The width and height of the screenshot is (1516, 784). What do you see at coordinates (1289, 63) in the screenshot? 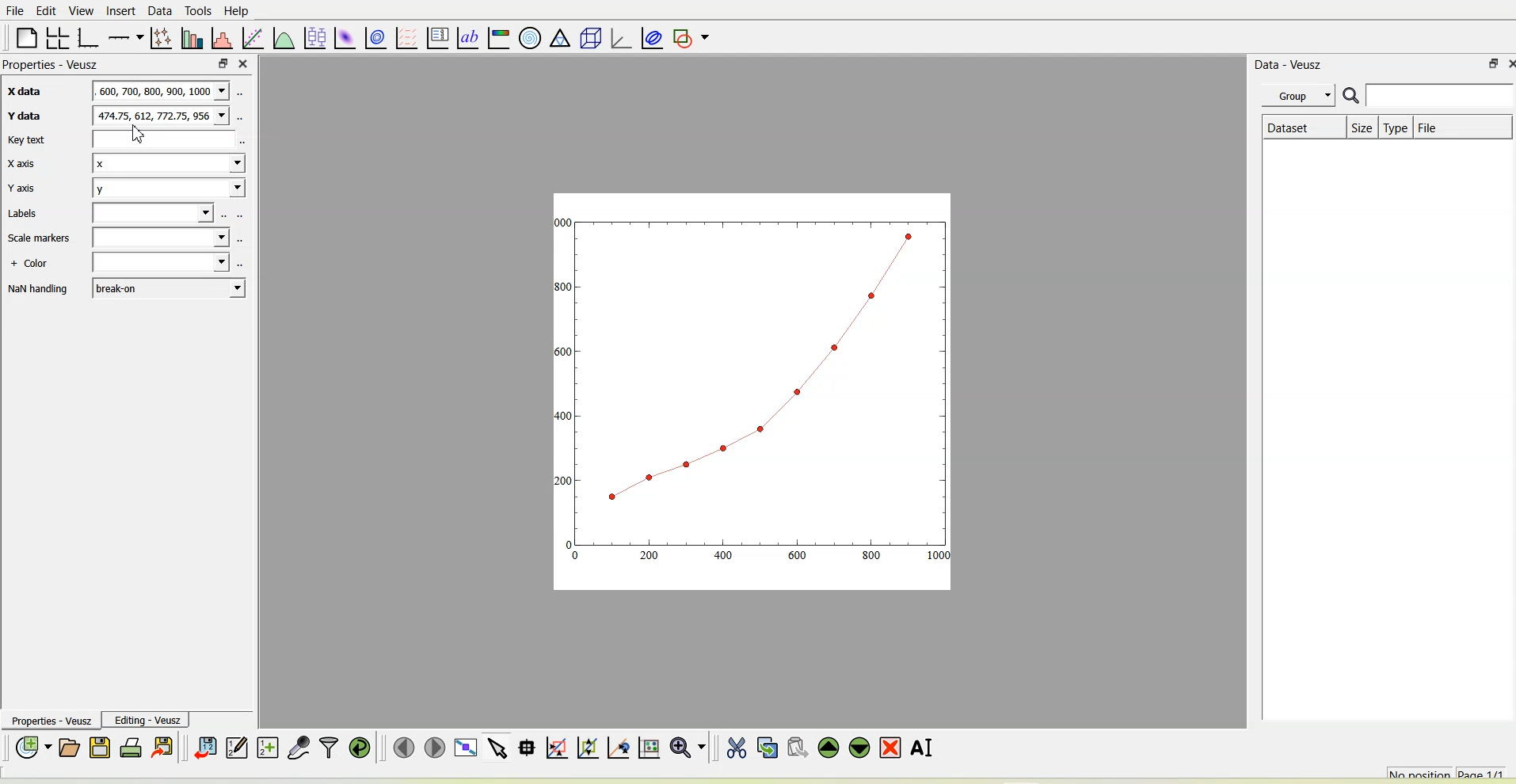
I see `Data - Veusz` at bounding box center [1289, 63].